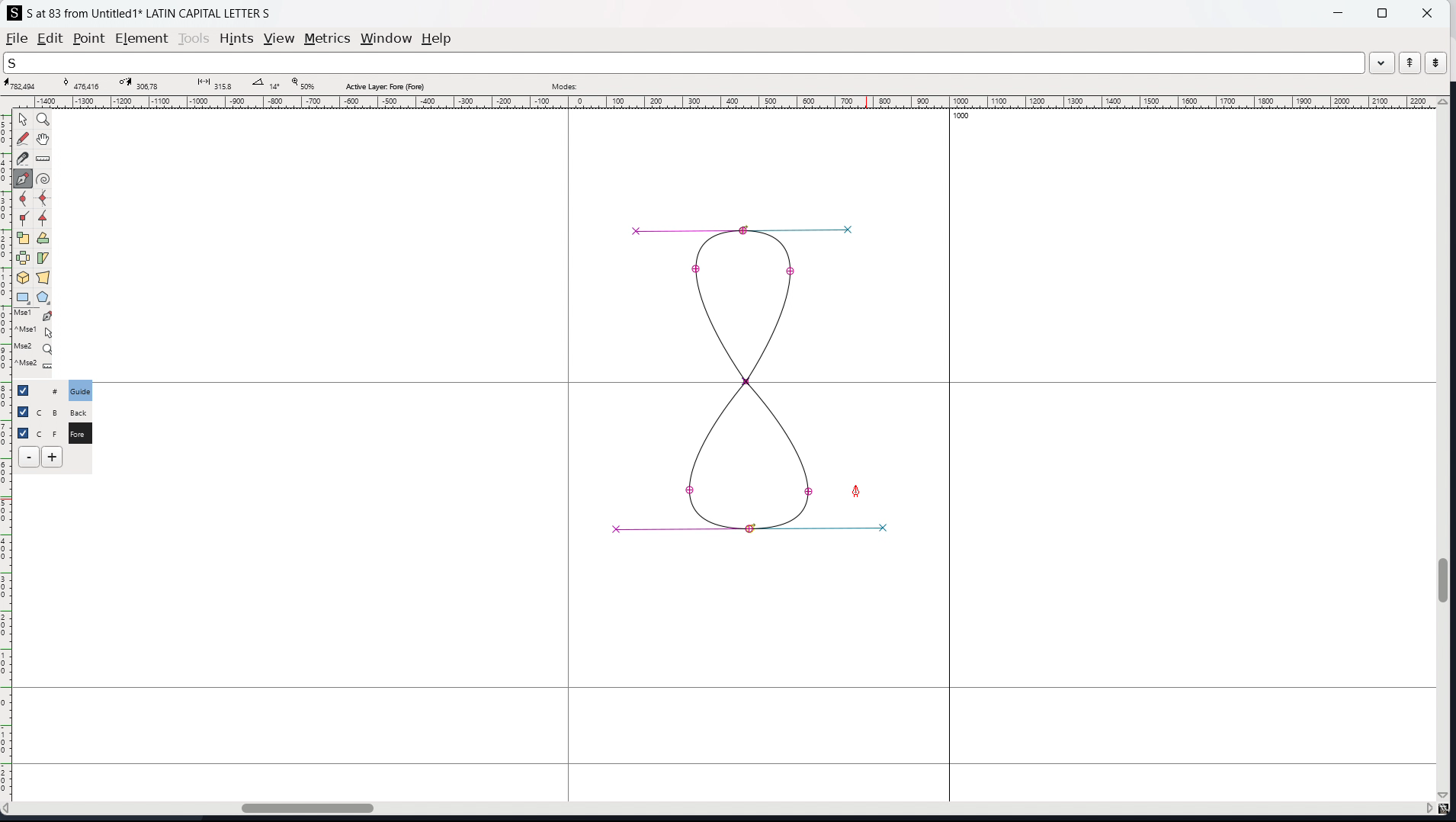 The image size is (1456, 822). What do you see at coordinates (266, 83) in the screenshot?
I see `angle between points` at bounding box center [266, 83].